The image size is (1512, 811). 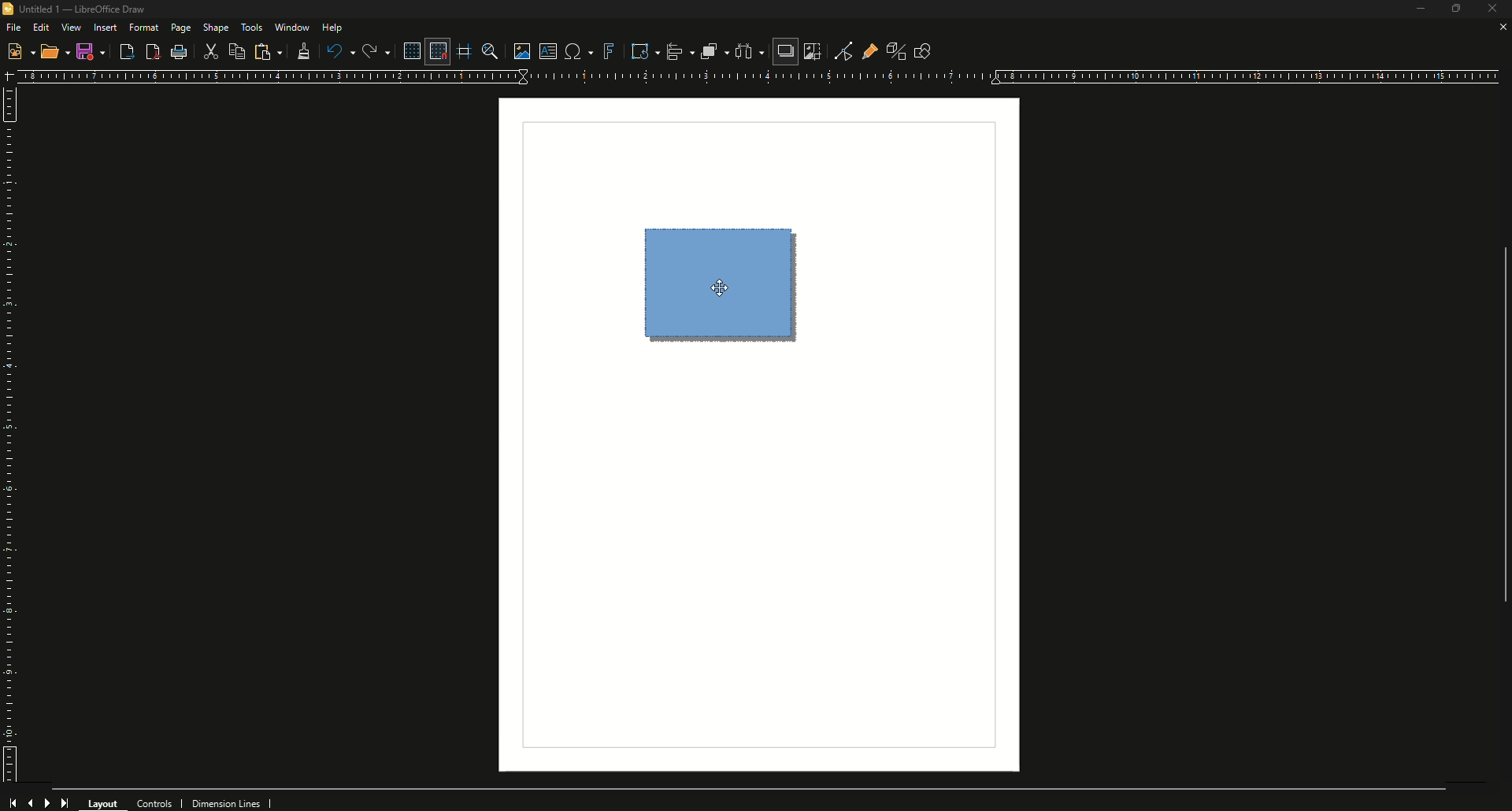 I want to click on Toggle Extrusion, so click(x=890, y=49).